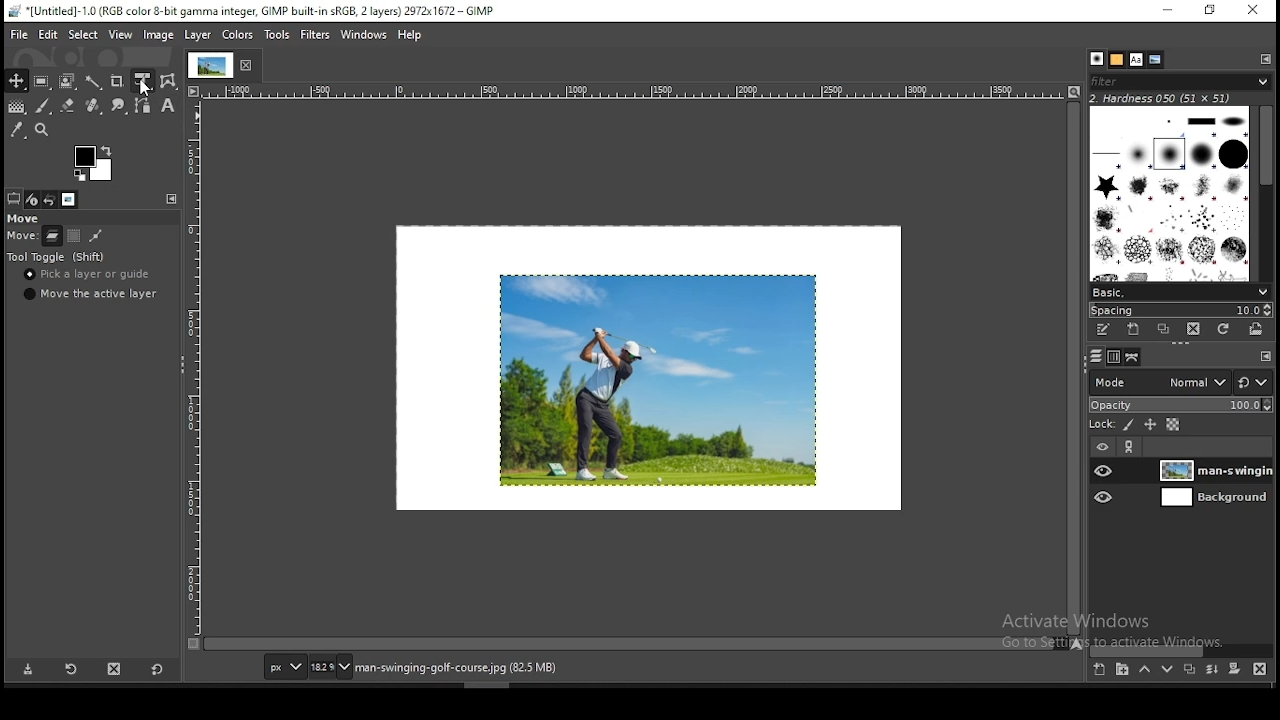 The width and height of the screenshot is (1280, 720). What do you see at coordinates (1212, 470) in the screenshot?
I see `layer ` at bounding box center [1212, 470].